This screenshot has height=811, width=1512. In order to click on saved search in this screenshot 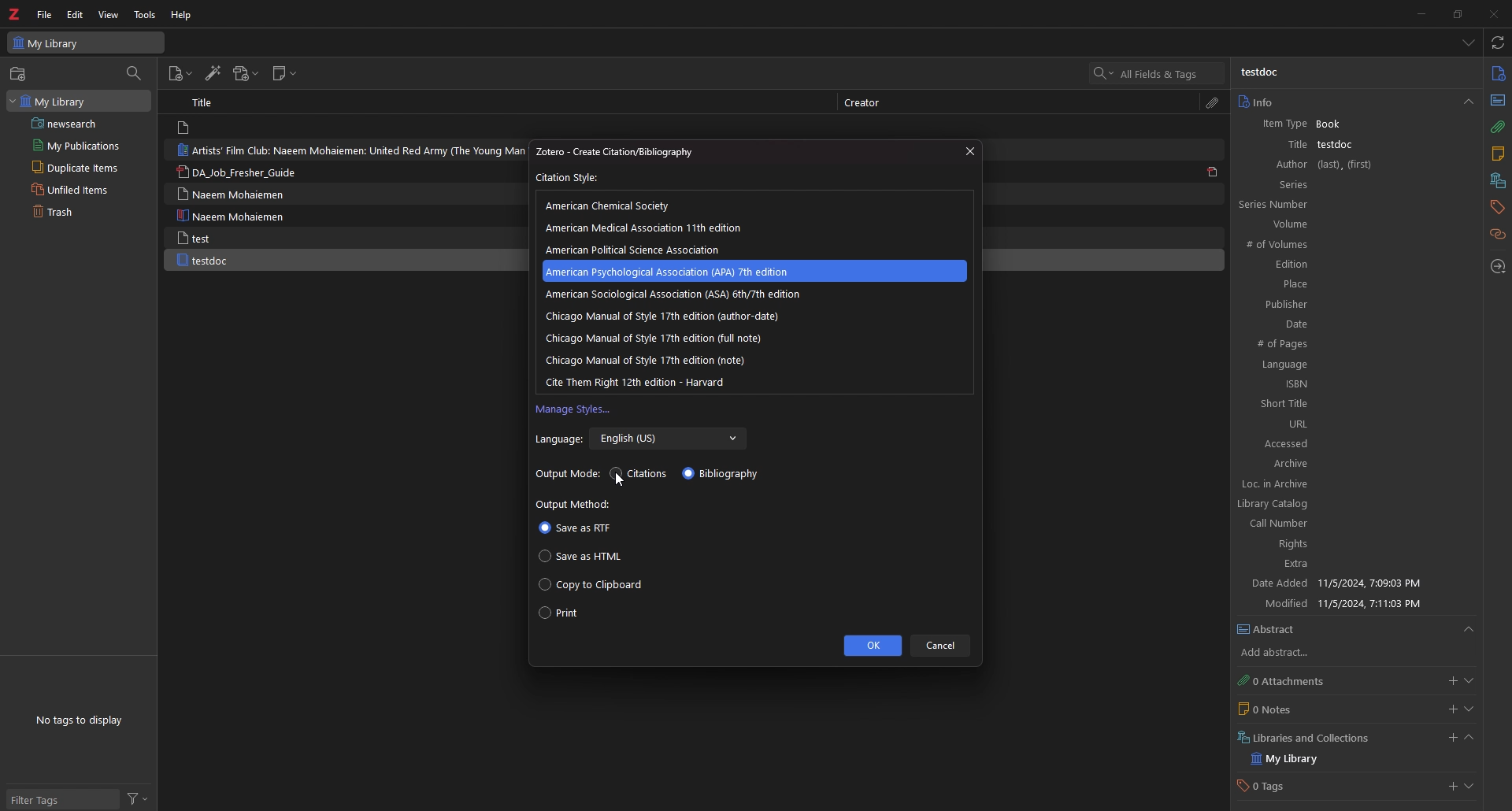, I will do `click(81, 123)`.